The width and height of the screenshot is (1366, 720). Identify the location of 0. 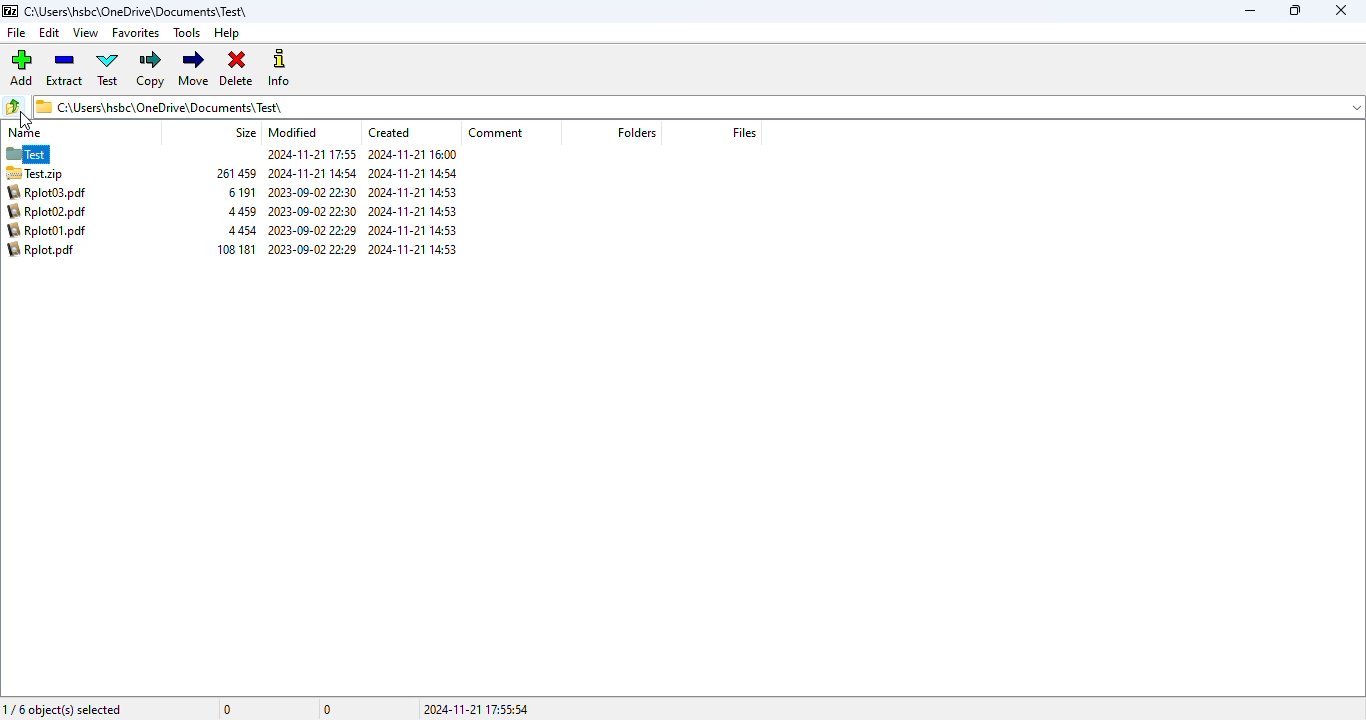
(229, 709).